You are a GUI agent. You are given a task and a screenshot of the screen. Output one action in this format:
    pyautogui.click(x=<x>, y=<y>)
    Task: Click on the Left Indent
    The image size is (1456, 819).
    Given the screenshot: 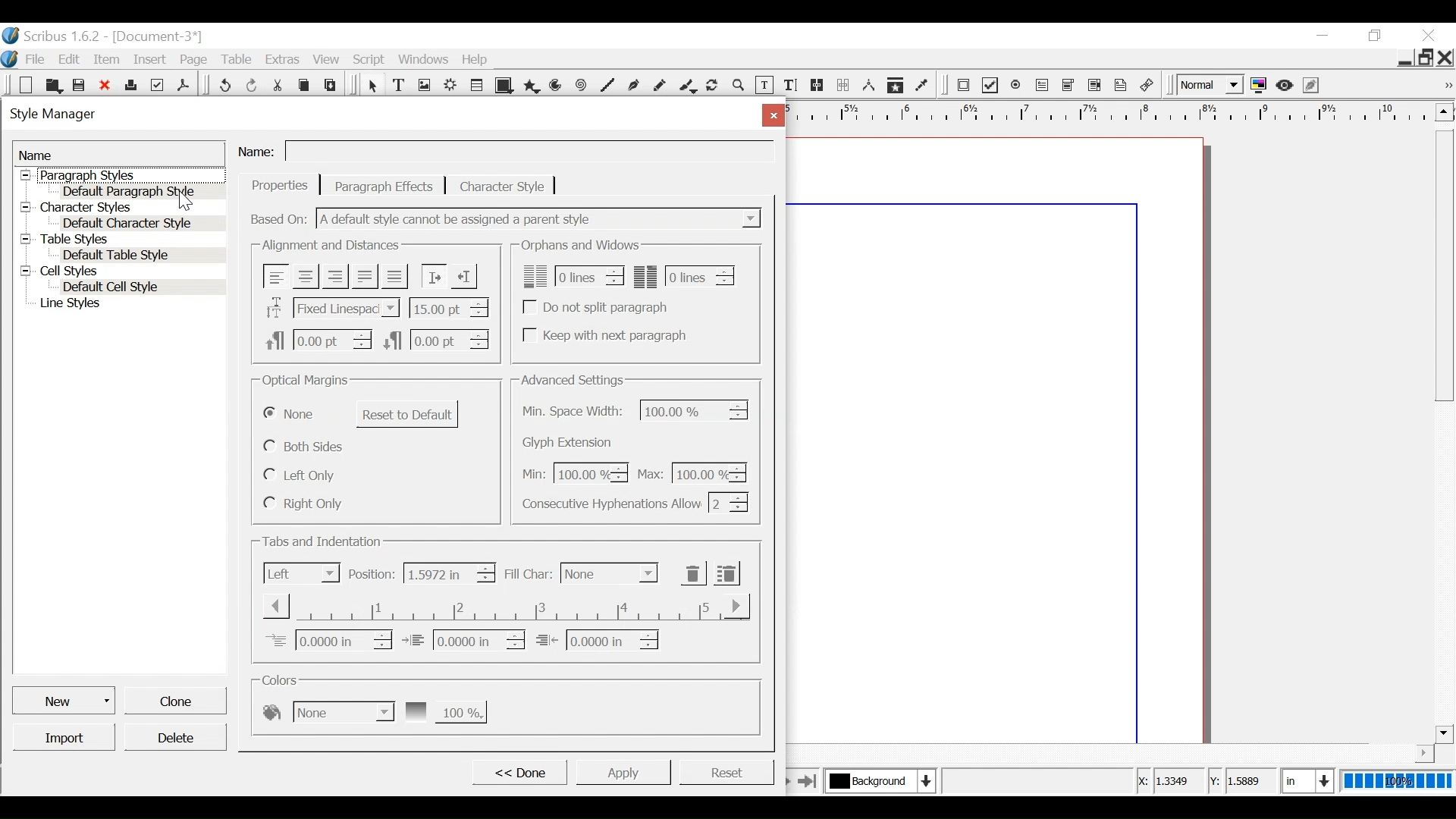 What is the action you would take?
    pyautogui.click(x=463, y=639)
    